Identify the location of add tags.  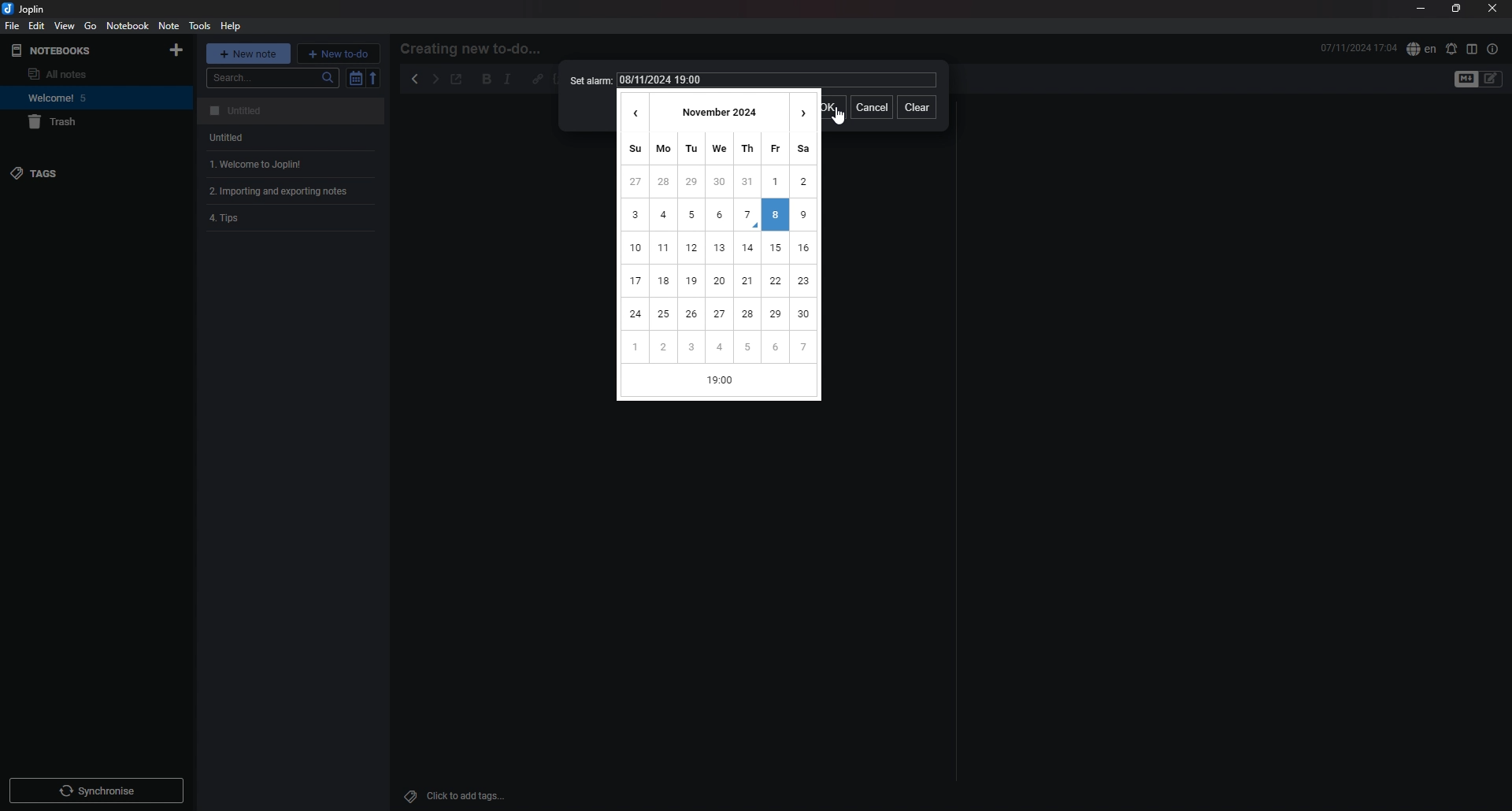
(457, 796).